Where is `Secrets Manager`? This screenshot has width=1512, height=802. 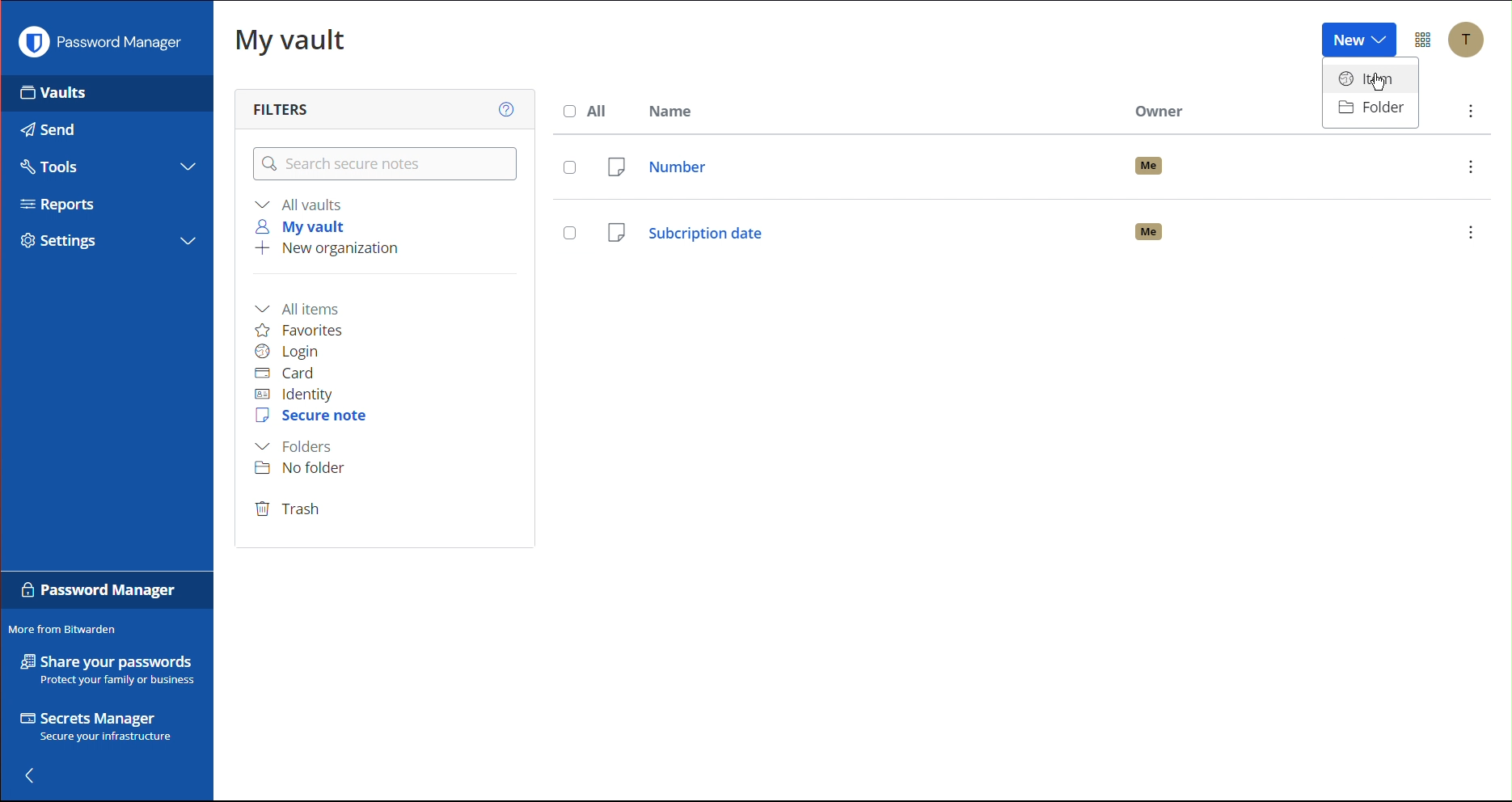
Secrets Manager is located at coordinates (94, 726).